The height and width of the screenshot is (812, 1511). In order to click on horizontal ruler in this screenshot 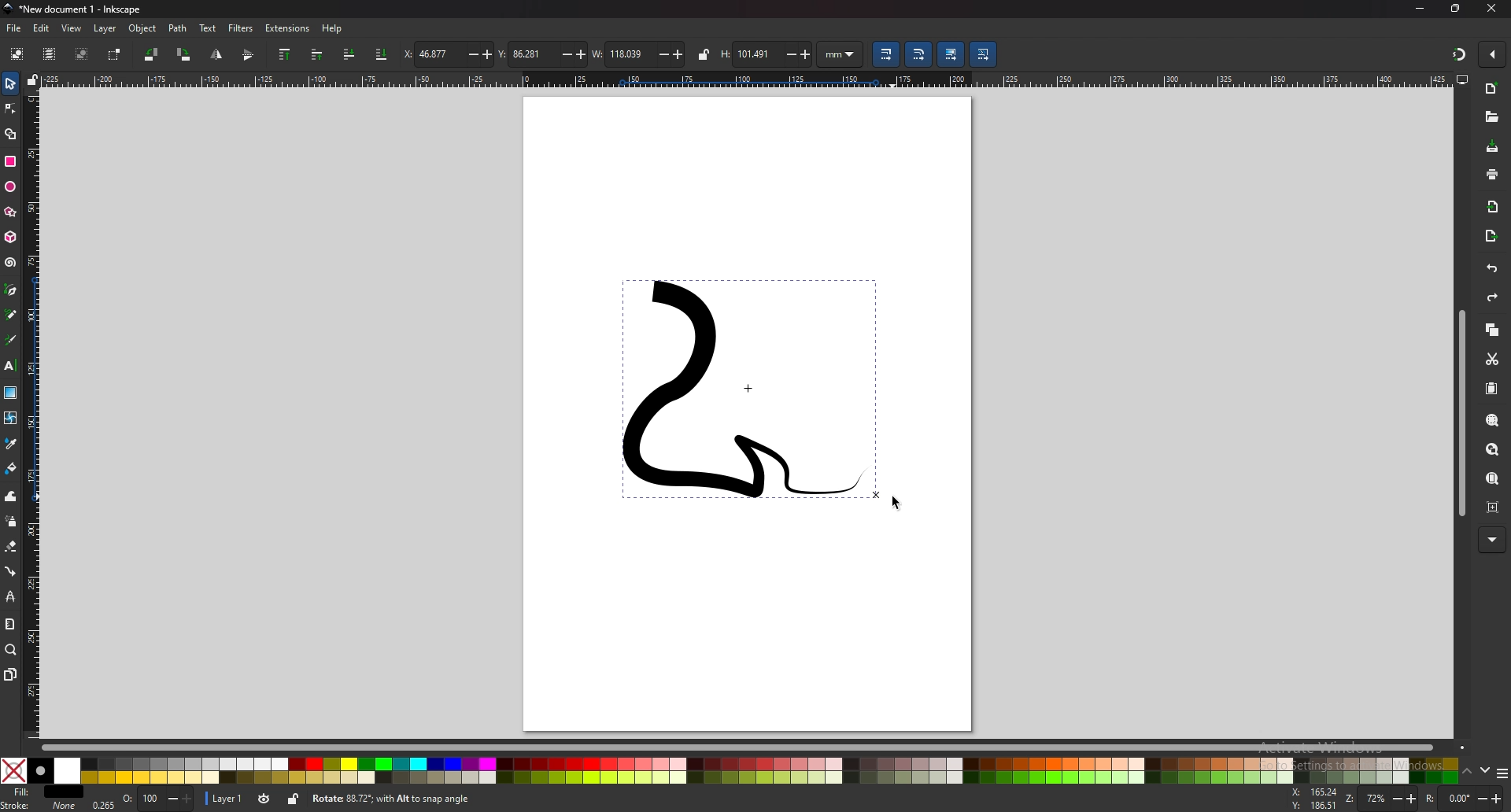, I will do `click(749, 79)`.